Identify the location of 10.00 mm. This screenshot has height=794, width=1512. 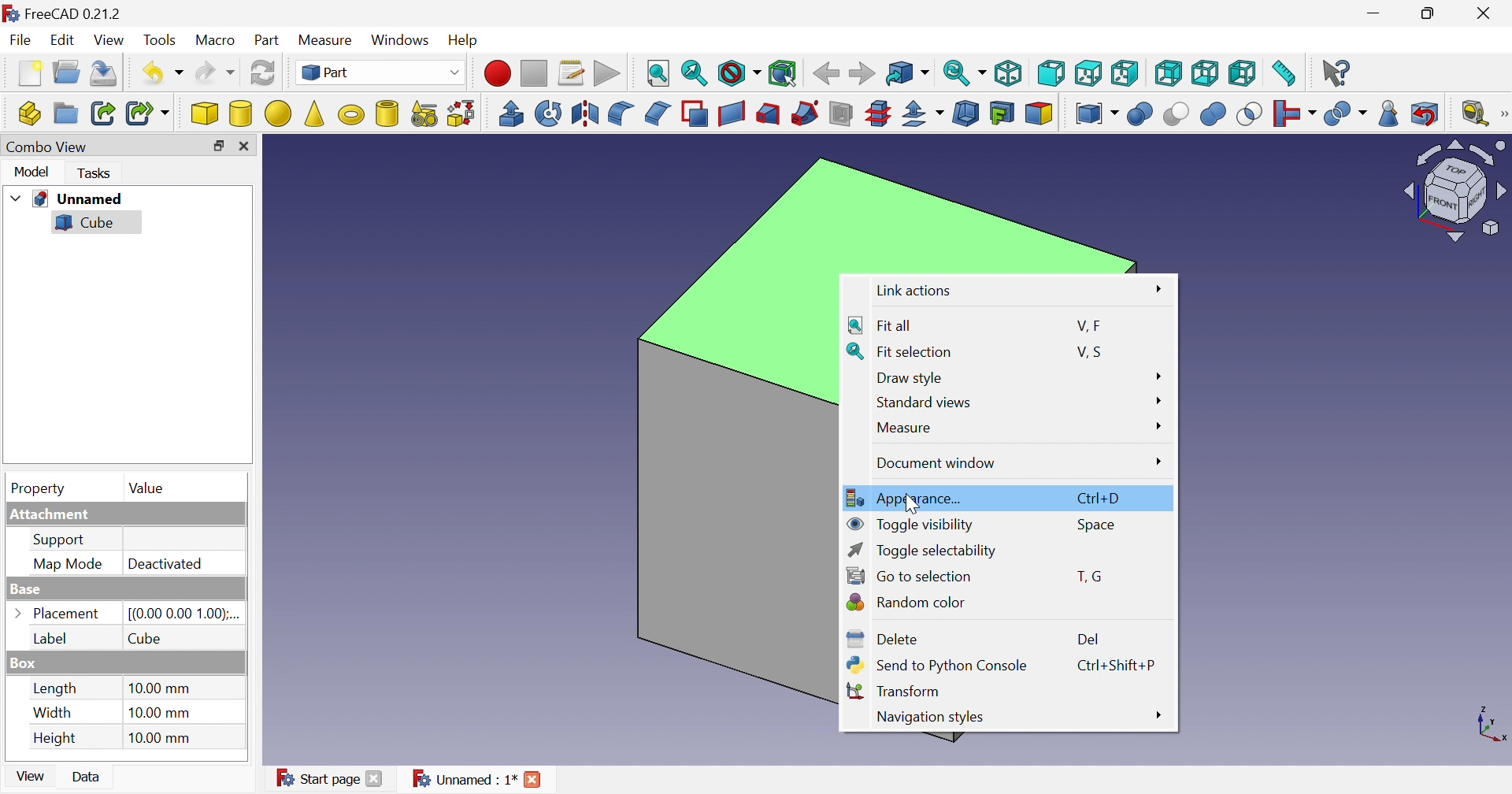
(163, 713).